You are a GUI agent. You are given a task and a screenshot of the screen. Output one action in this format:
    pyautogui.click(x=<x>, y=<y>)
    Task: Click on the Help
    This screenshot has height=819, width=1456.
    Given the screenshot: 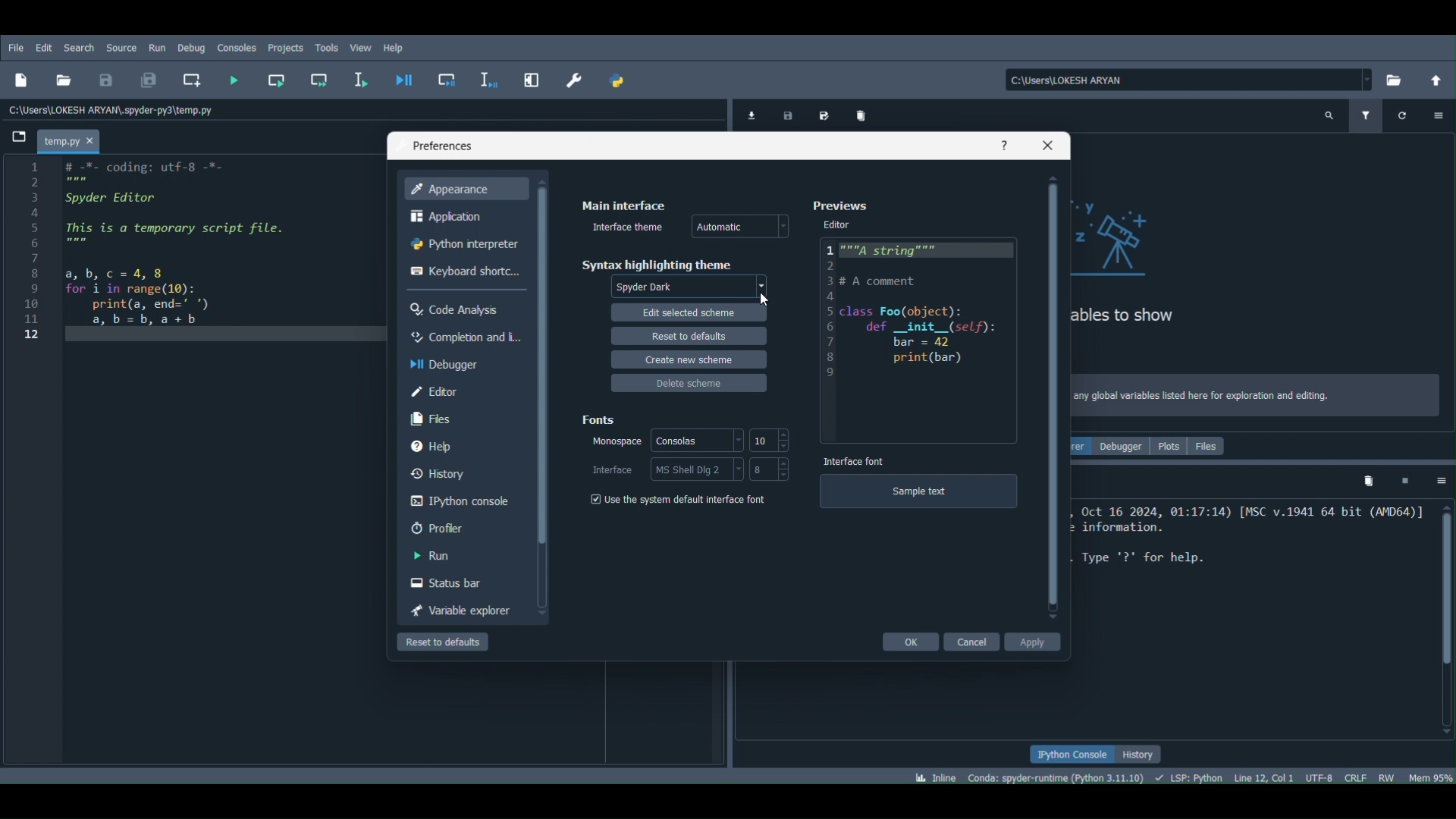 What is the action you would take?
    pyautogui.click(x=1005, y=143)
    